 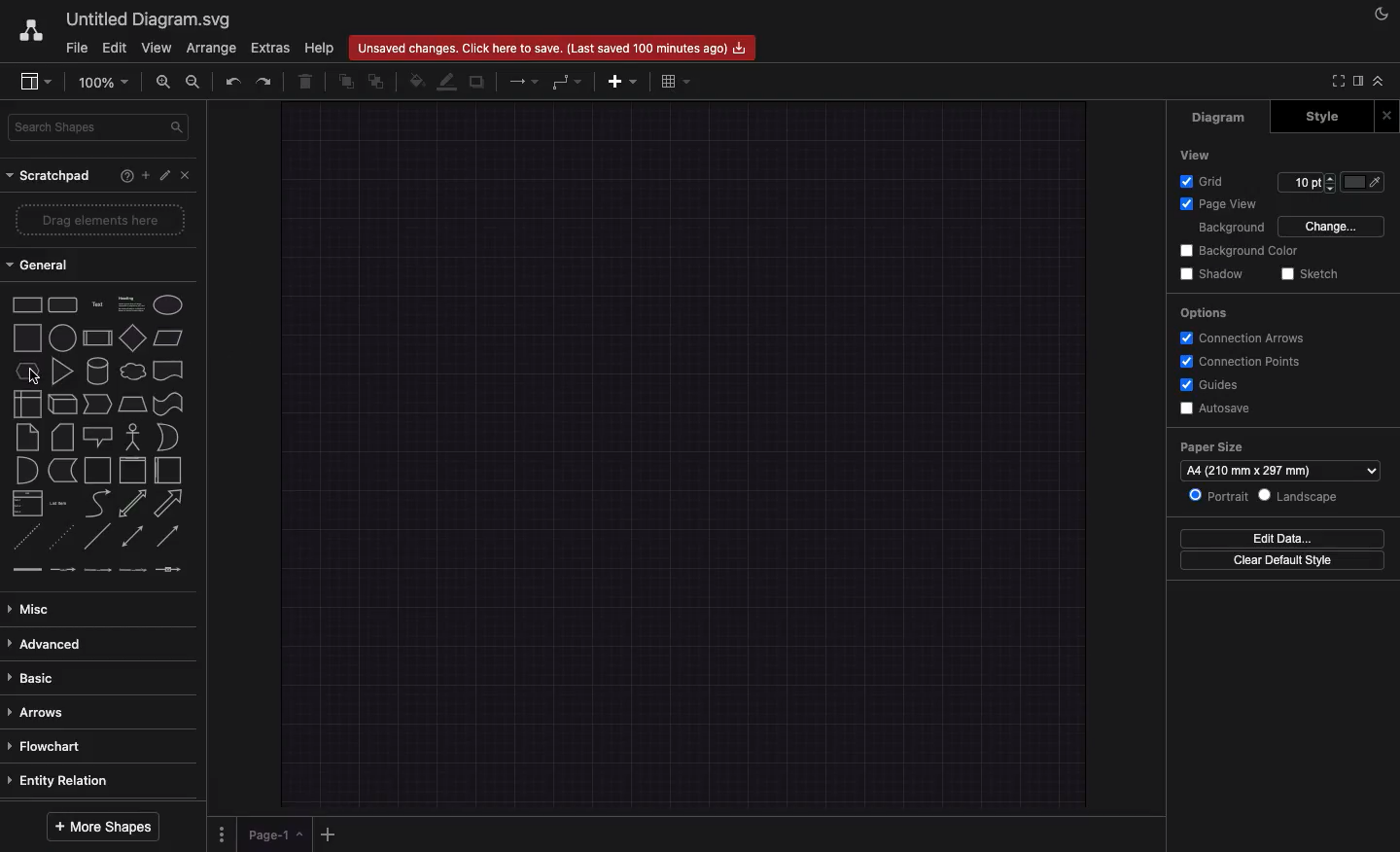 What do you see at coordinates (309, 83) in the screenshot?
I see `Delete` at bounding box center [309, 83].